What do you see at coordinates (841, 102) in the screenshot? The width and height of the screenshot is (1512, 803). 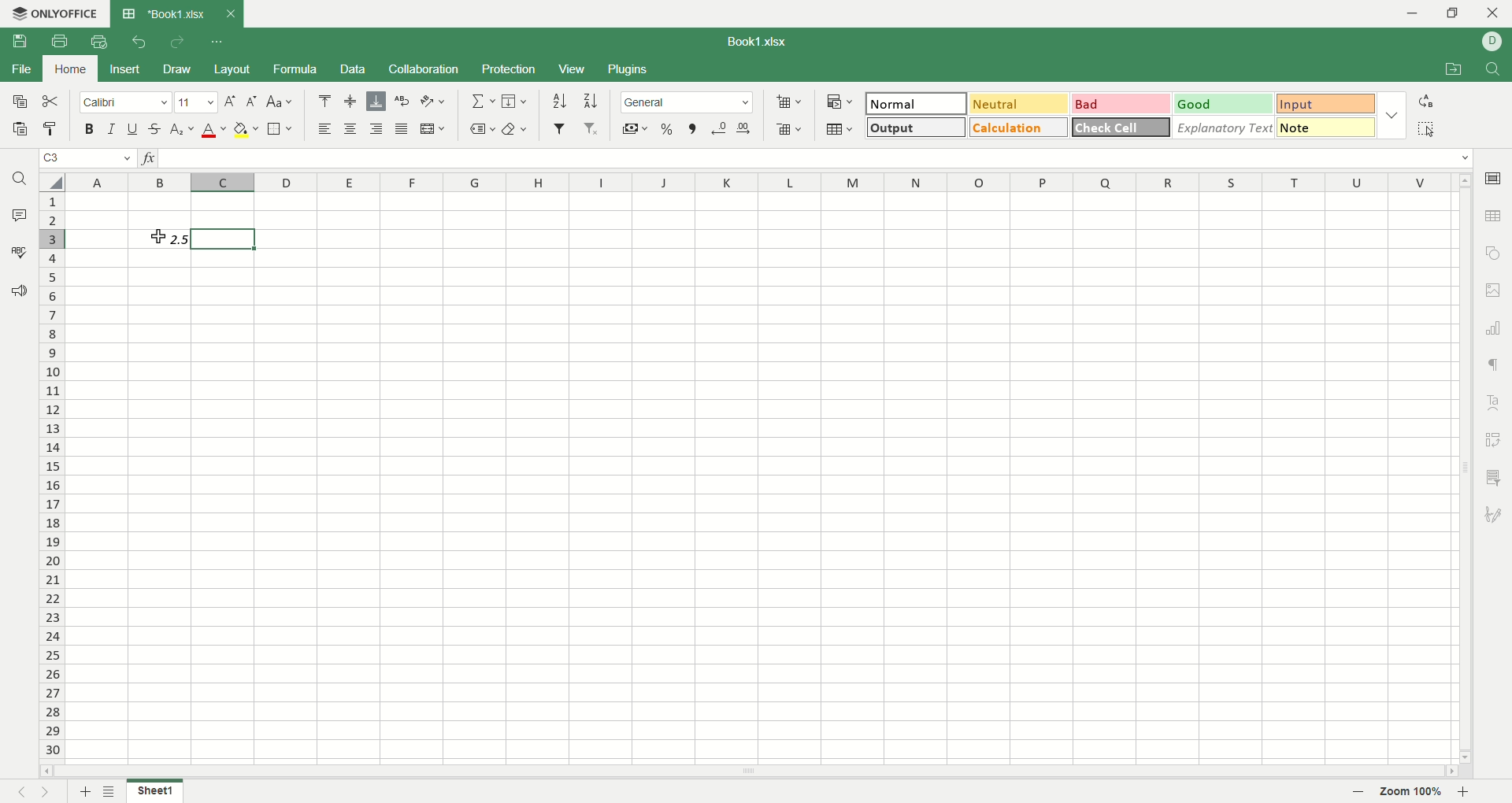 I see `conditional formatting` at bounding box center [841, 102].